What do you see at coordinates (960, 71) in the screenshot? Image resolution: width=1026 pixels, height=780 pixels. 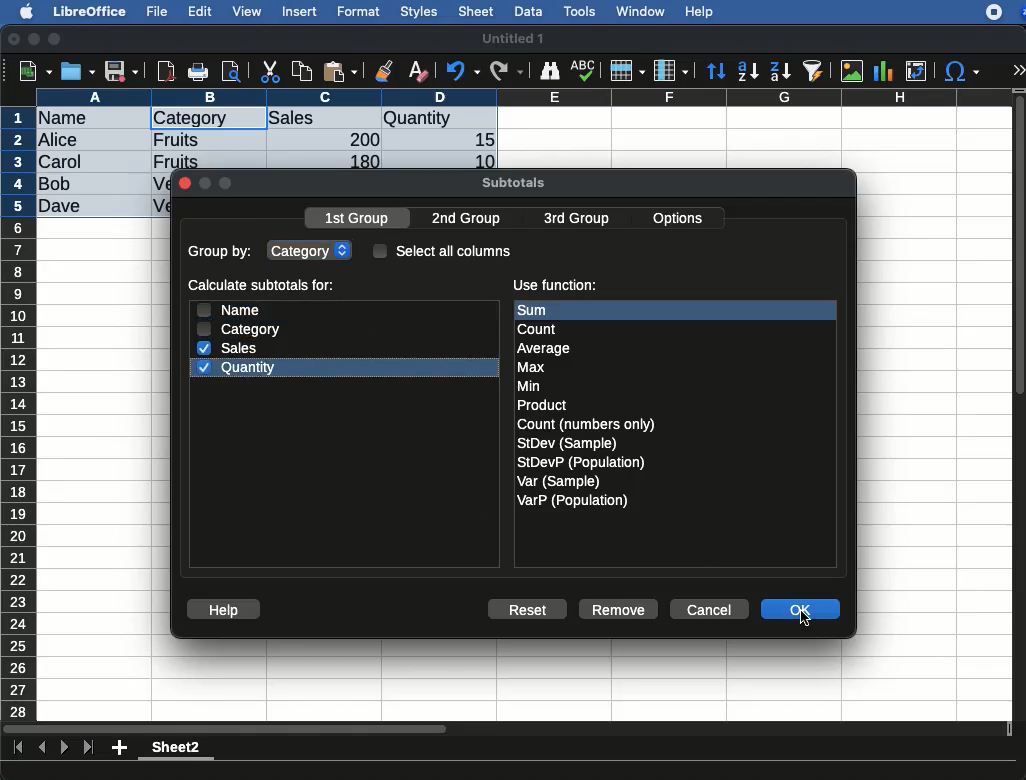 I see `special characters` at bounding box center [960, 71].